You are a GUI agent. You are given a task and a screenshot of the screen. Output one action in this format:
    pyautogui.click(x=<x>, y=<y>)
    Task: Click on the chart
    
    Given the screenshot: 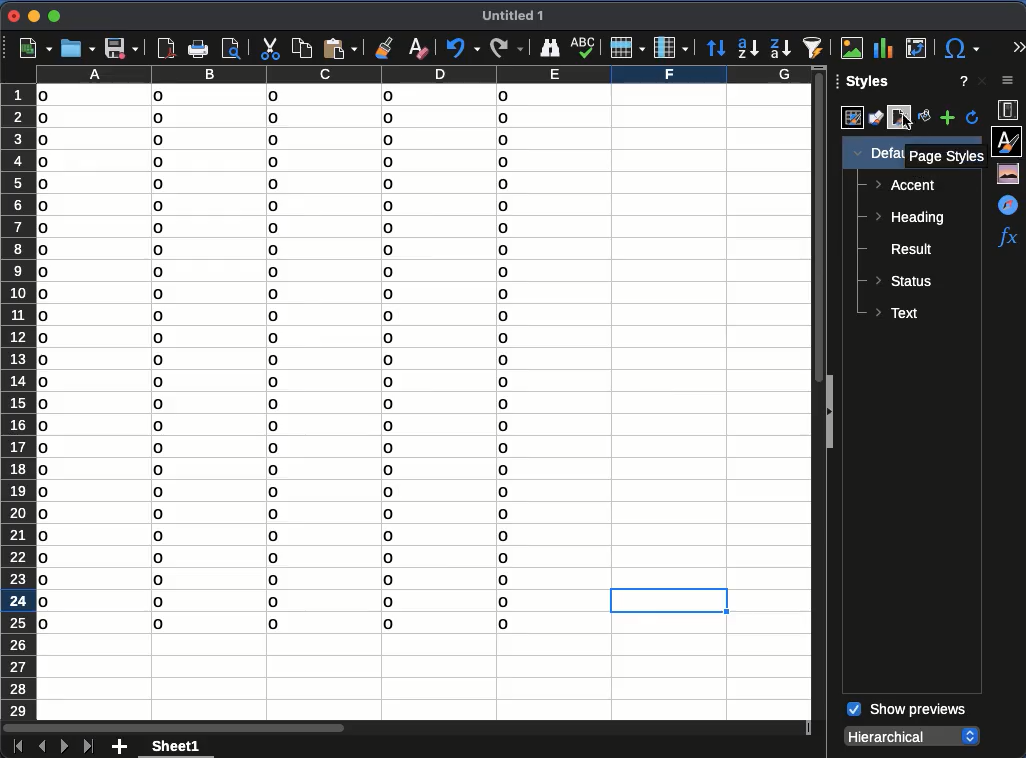 What is the action you would take?
    pyautogui.click(x=882, y=47)
    